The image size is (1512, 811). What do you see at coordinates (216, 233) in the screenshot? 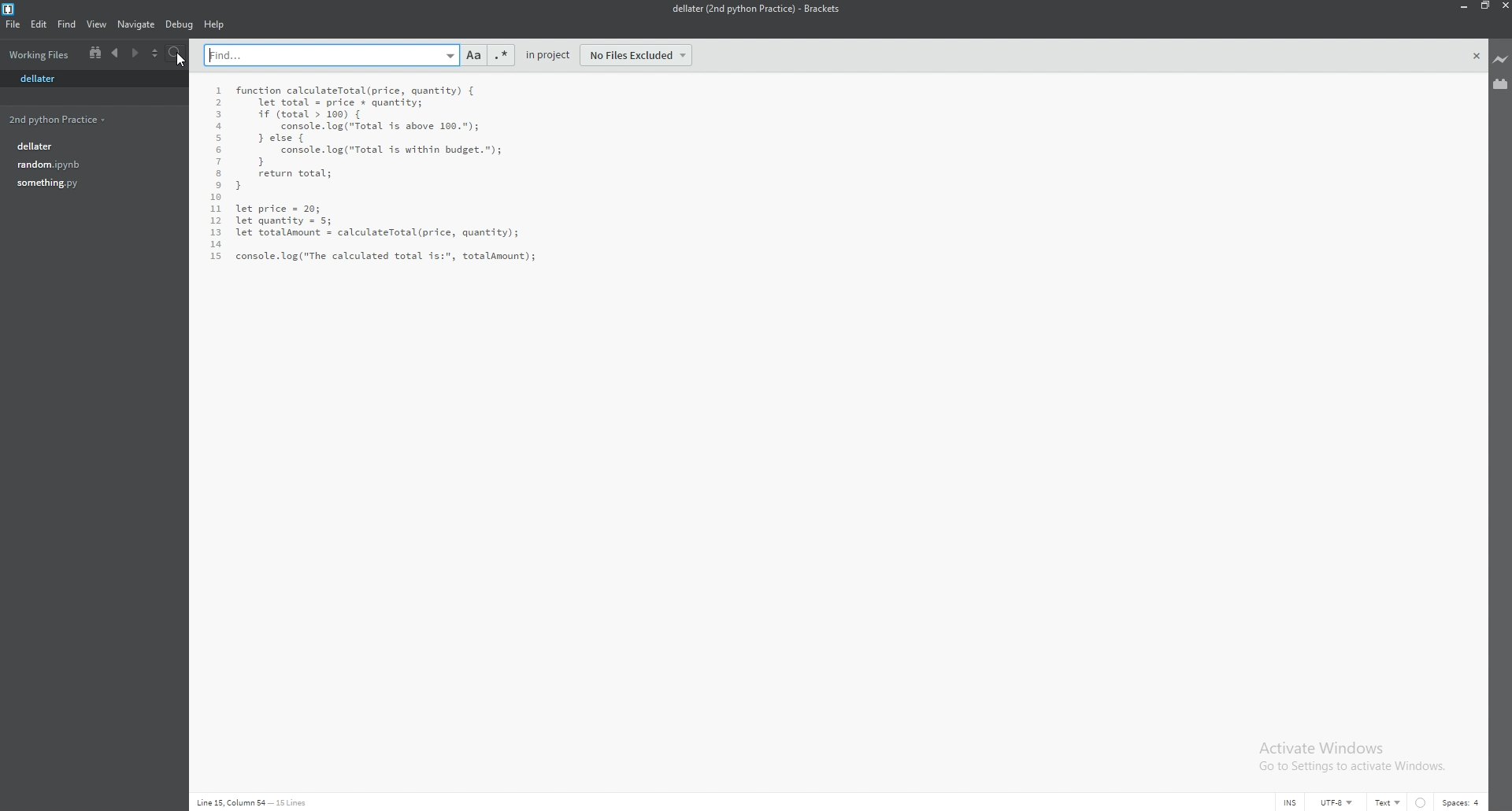
I see `13` at bounding box center [216, 233].